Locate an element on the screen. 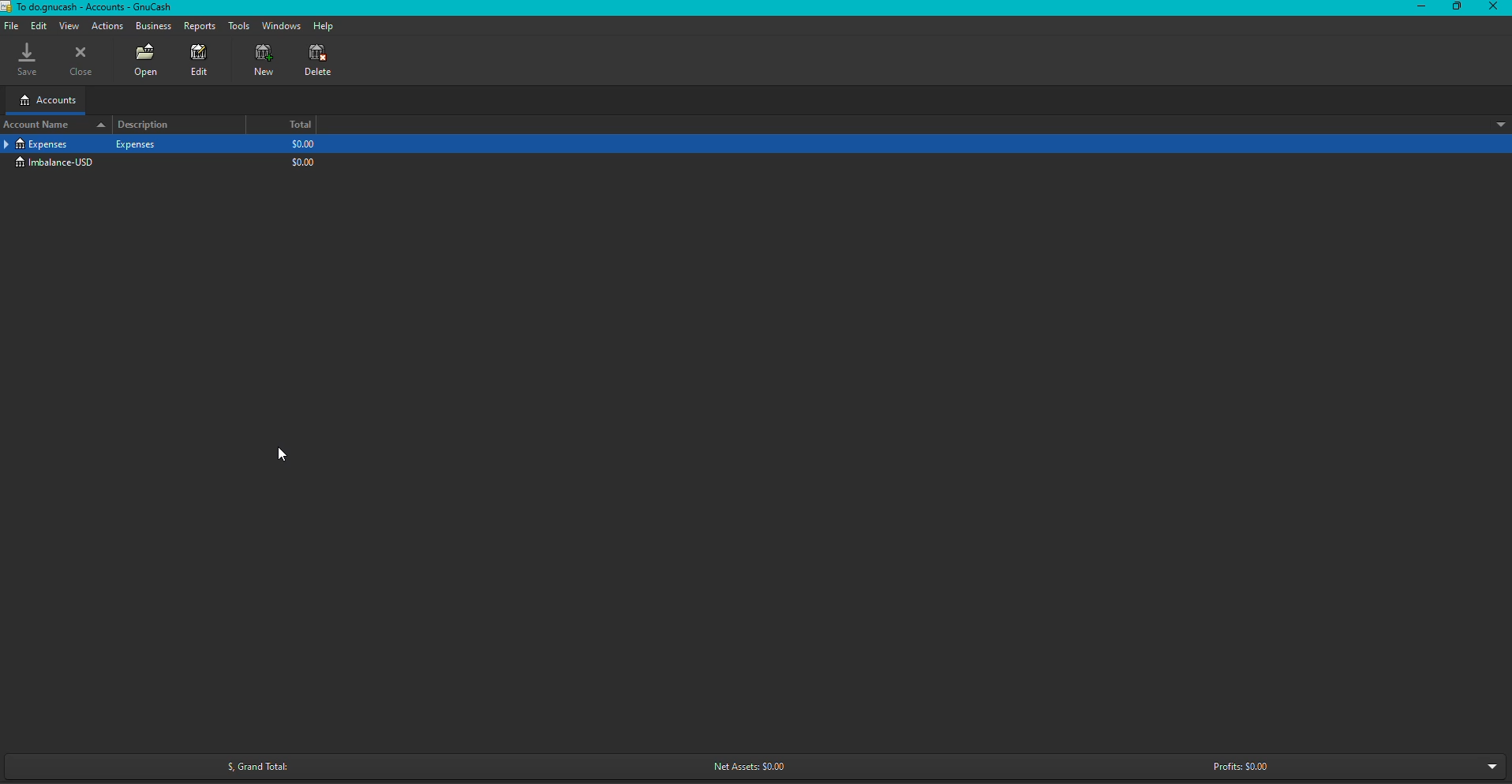 This screenshot has width=1512, height=784. Edit is located at coordinates (200, 62).